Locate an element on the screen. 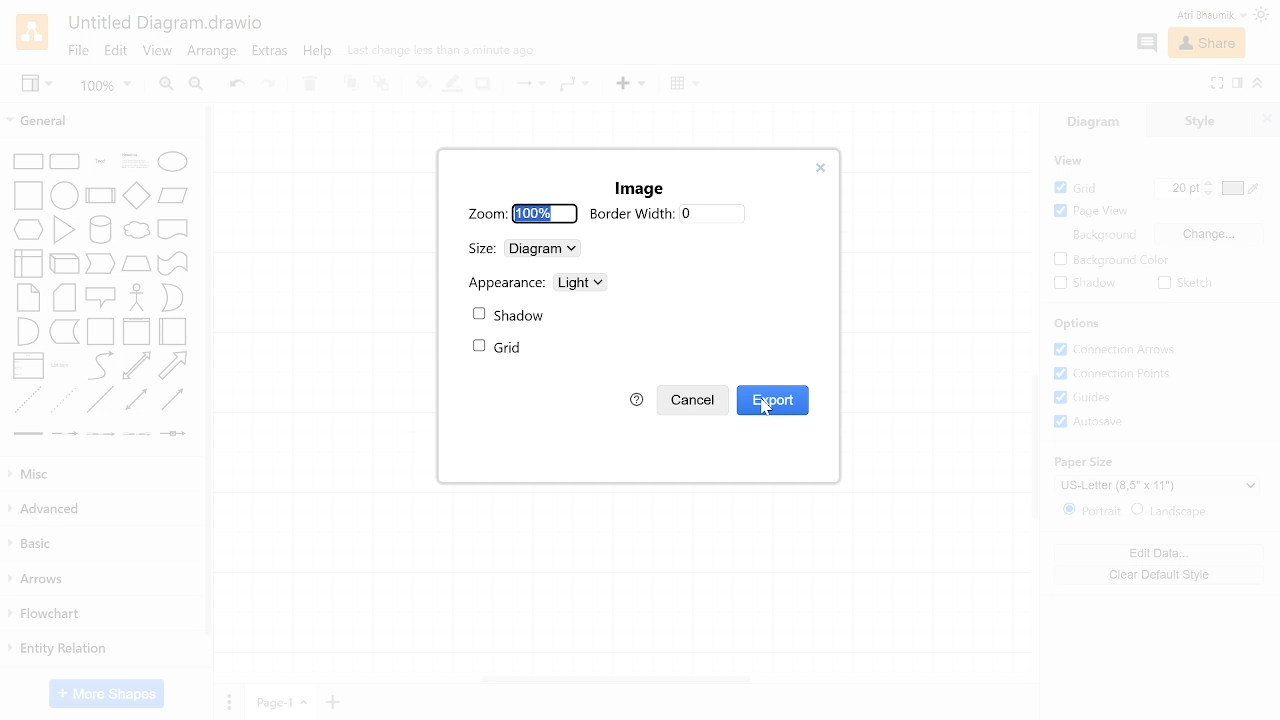  to back is located at coordinates (381, 86).